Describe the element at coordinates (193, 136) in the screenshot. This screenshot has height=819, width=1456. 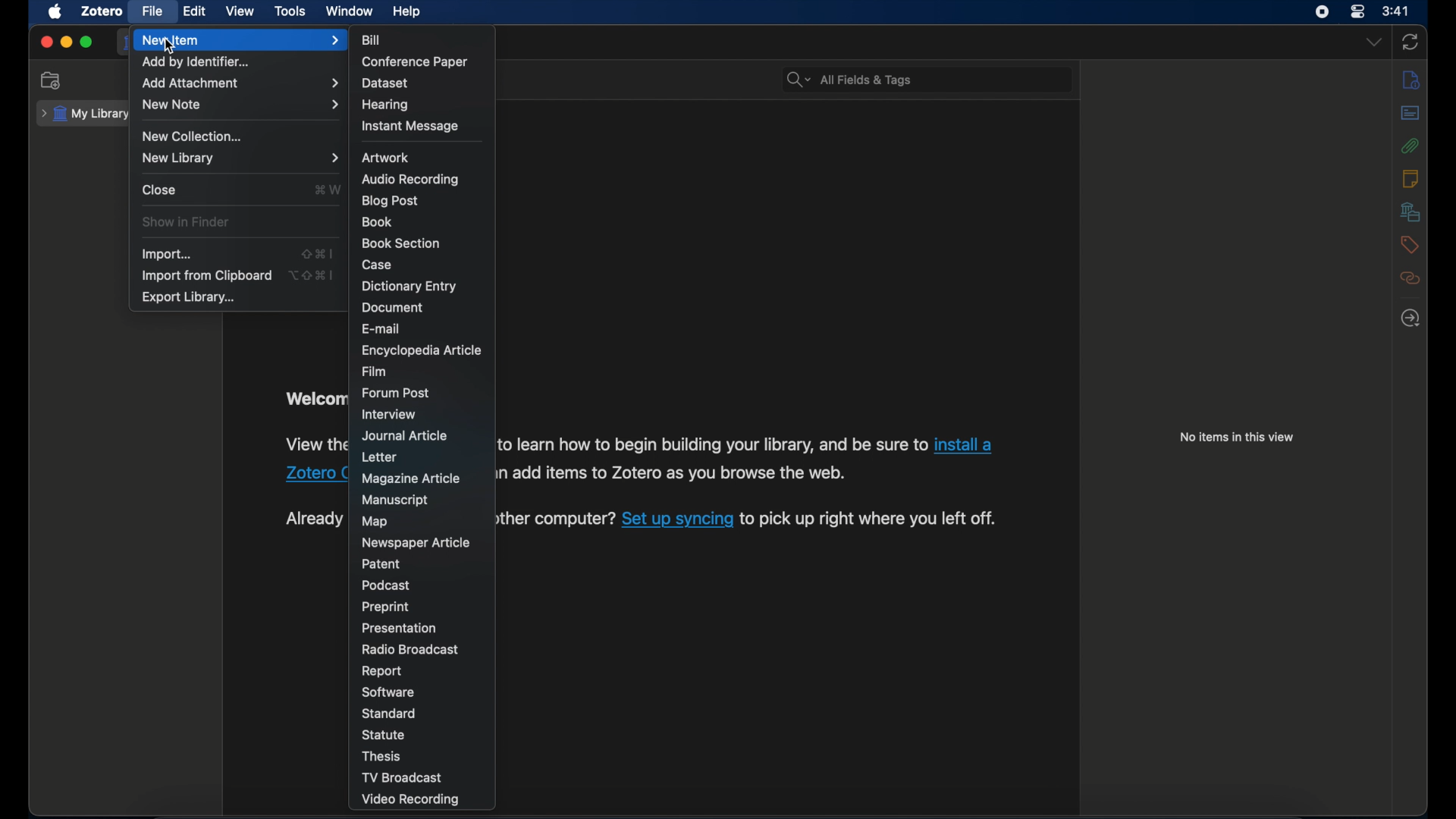
I see `new collection` at that location.